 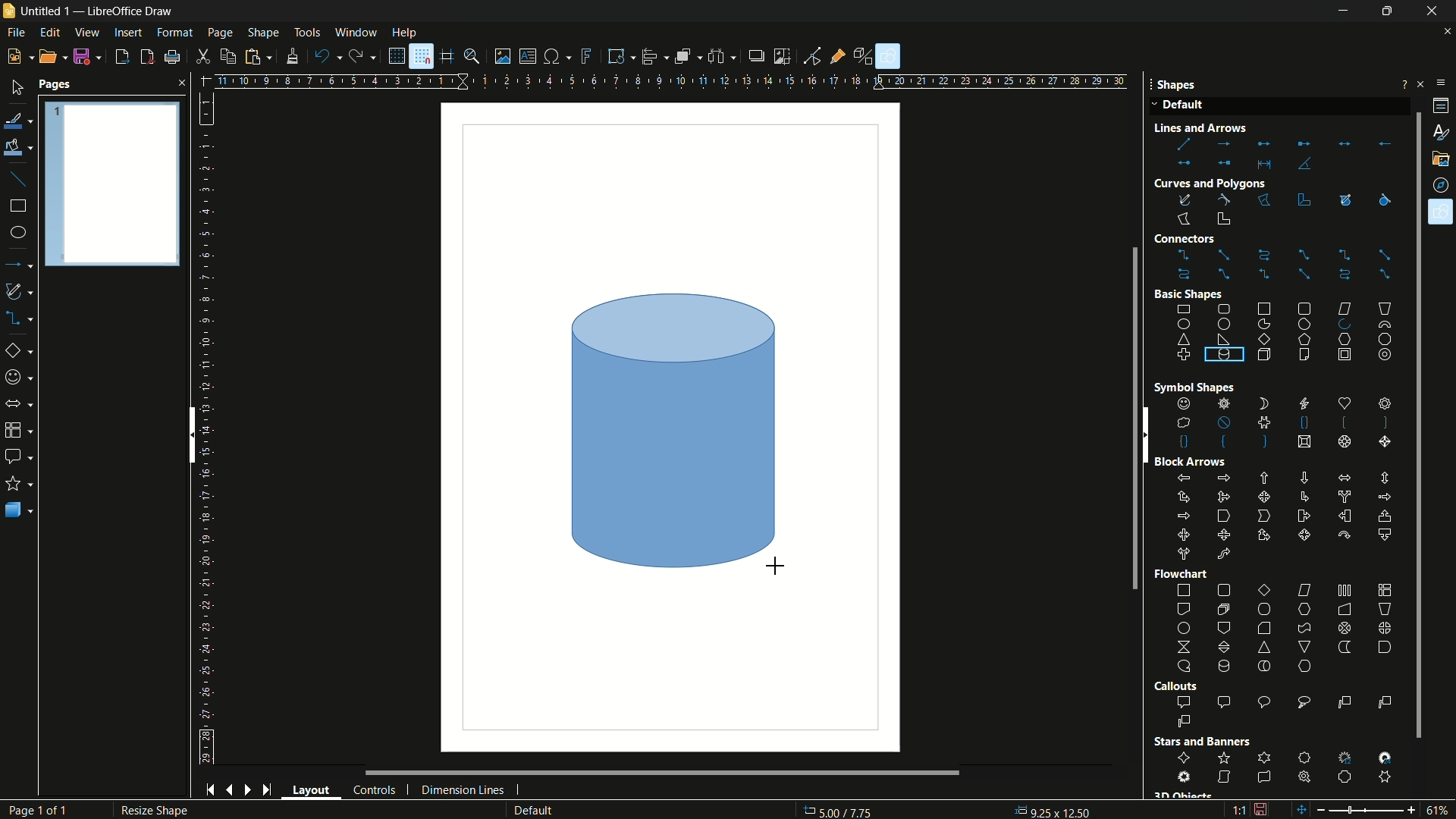 What do you see at coordinates (312, 789) in the screenshot?
I see `layout` at bounding box center [312, 789].